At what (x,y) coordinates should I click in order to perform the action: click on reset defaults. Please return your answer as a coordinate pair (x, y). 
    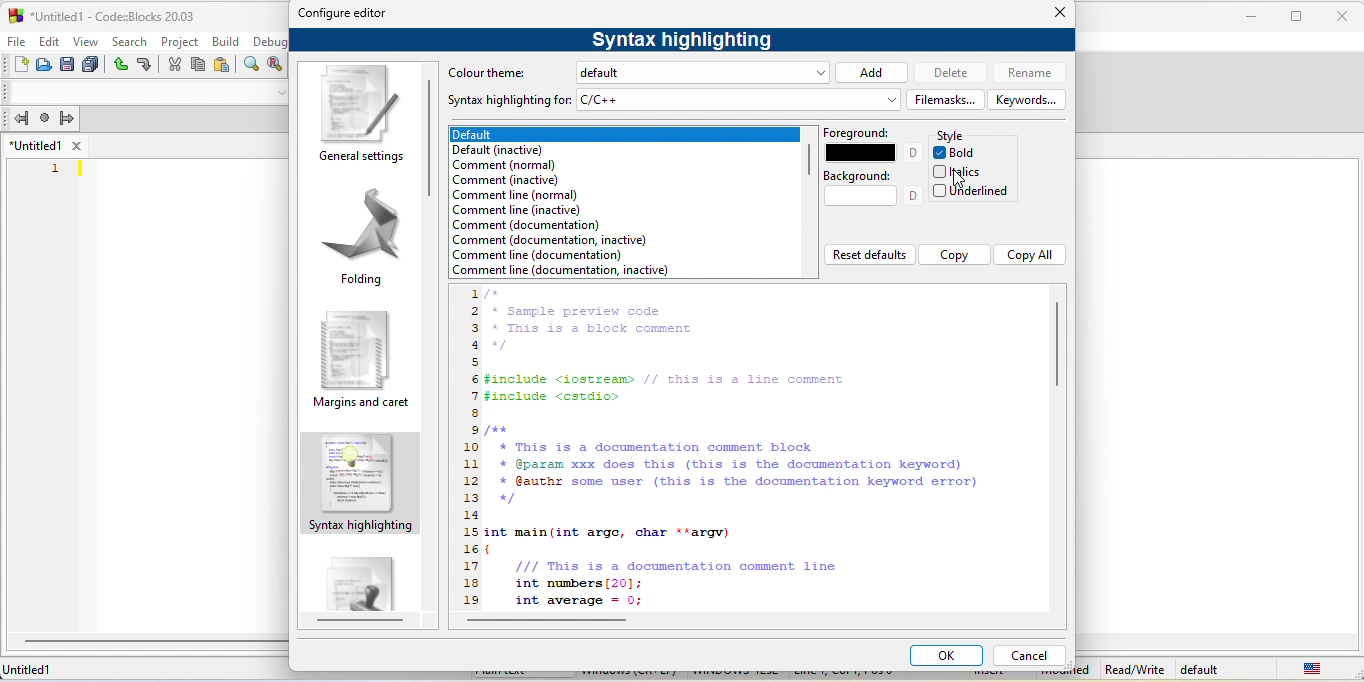
    Looking at the image, I should click on (869, 253).